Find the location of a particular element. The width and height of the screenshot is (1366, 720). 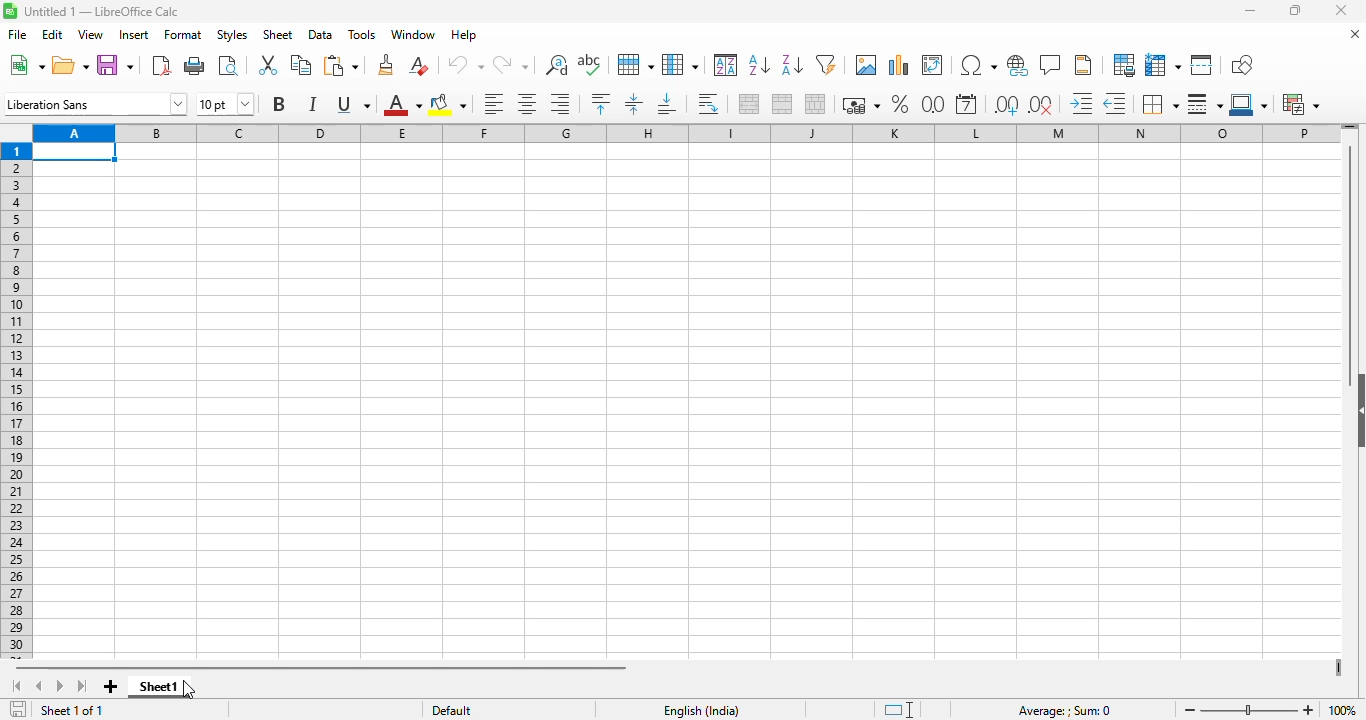

zoom in is located at coordinates (1309, 709).